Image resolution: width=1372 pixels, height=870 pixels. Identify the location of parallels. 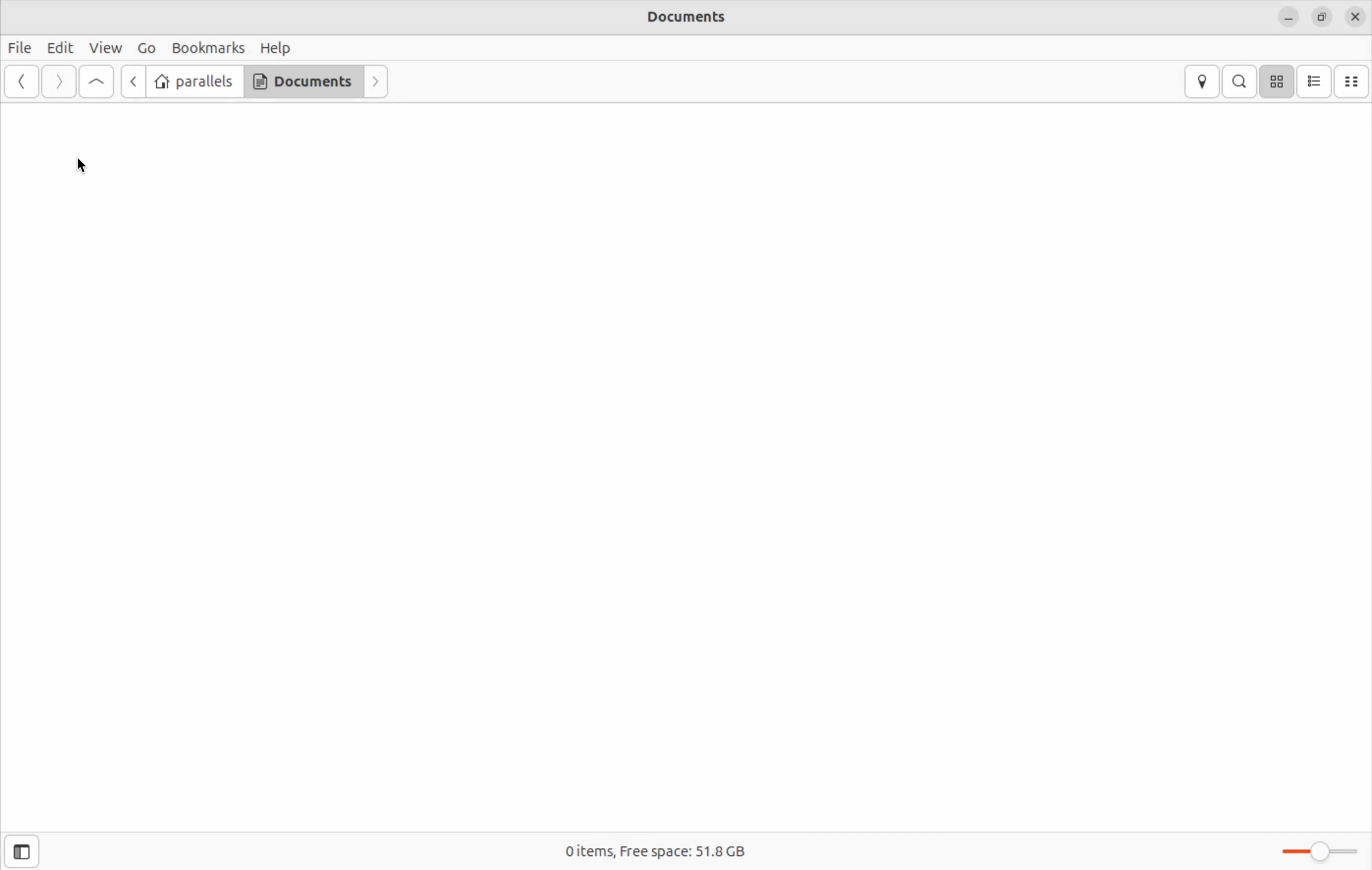
(195, 81).